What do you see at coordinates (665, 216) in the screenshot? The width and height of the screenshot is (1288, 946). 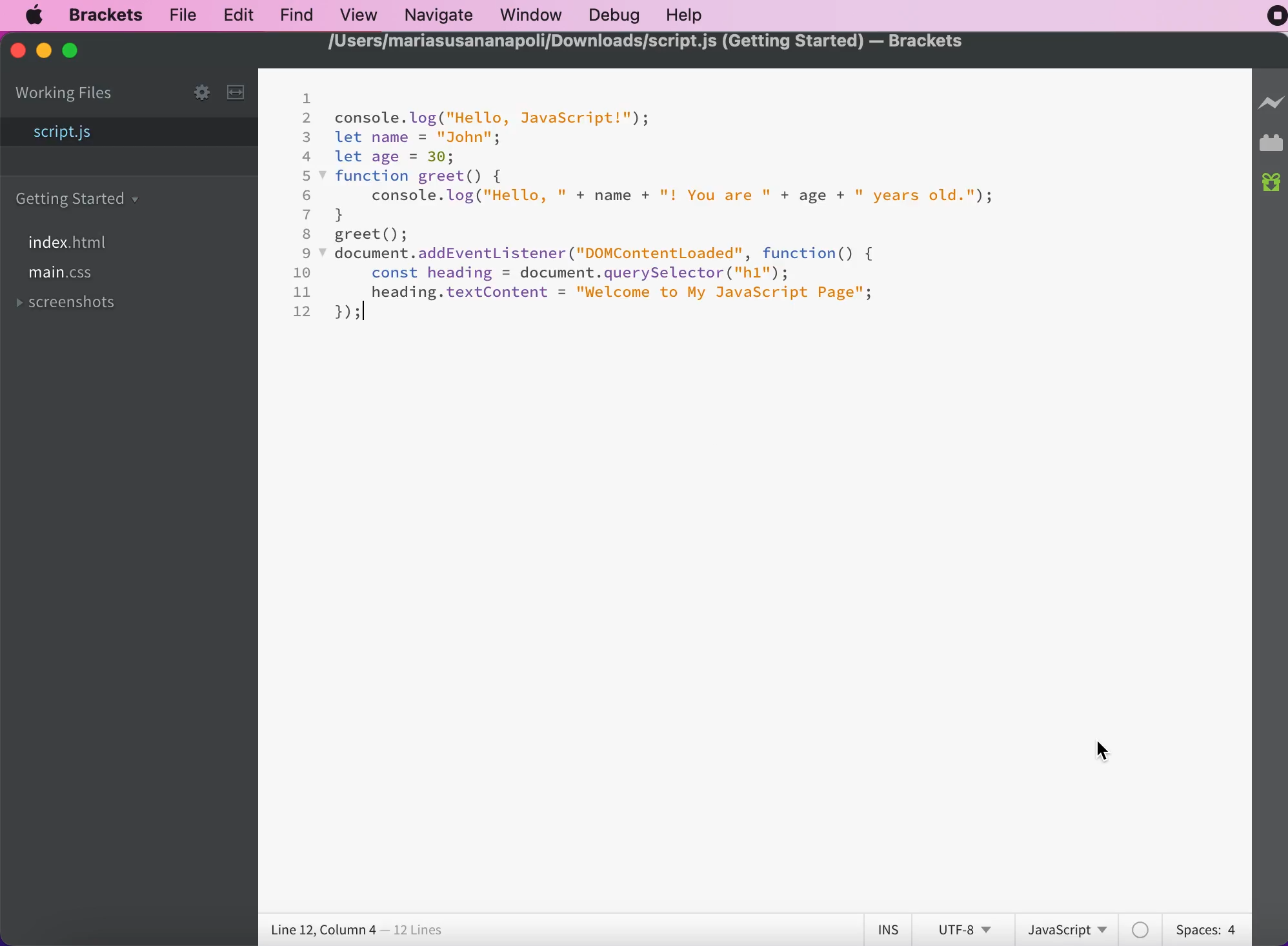 I see `console.log("Hello, JavaScript!");let name = "John";let age = 30;function greet() {console.log("Hello, " + name + "! You are " + age + " years old.");}greet ();document.addEventListener ("DOMContentLoaded", function() {const heading = document.querySelector("h1");| heading textcontent = "Welcome to My JavaScript Page"; });` at bounding box center [665, 216].